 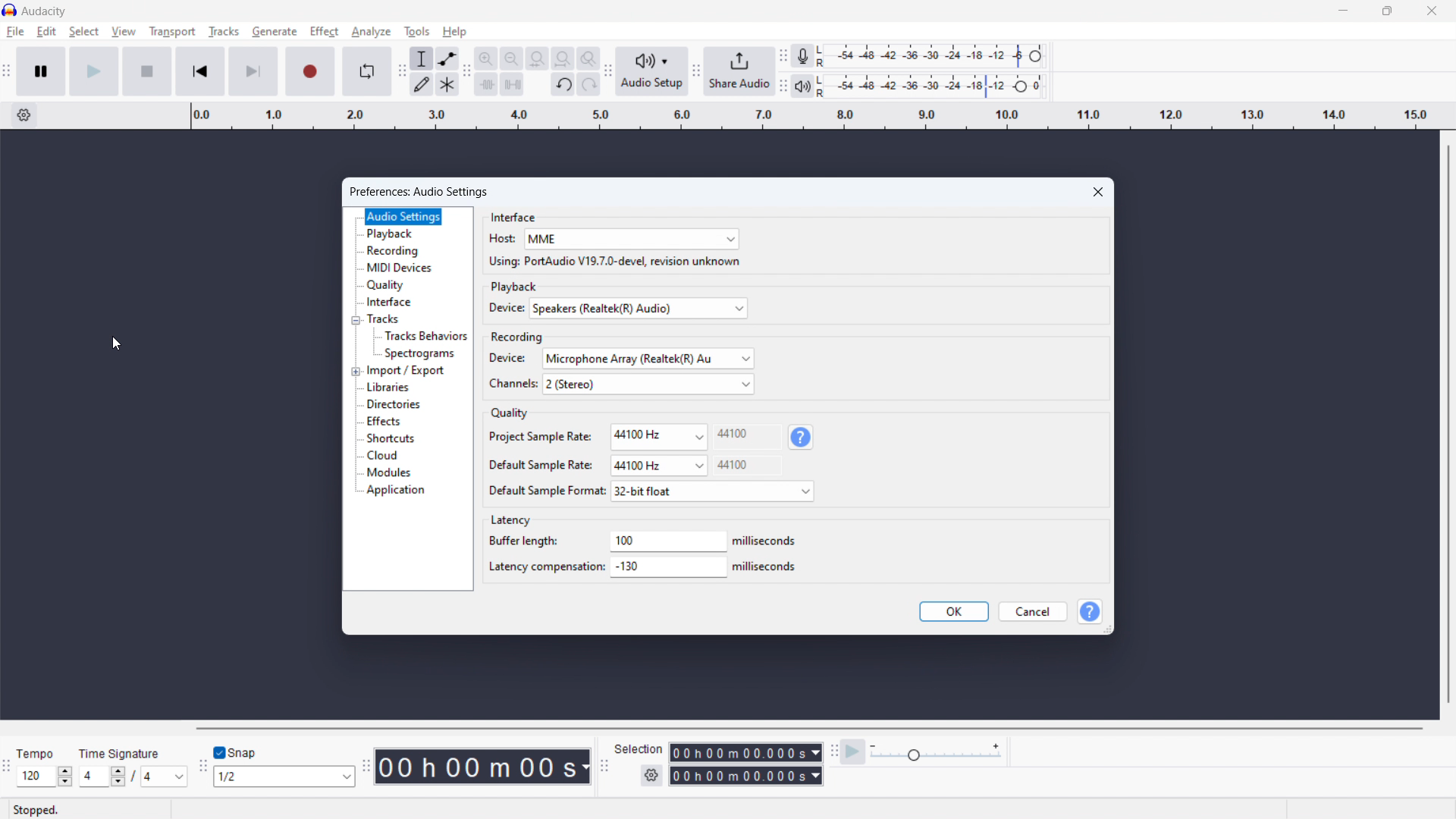 What do you see at coordinates (652, 72) in the screenshot?
I see `audio setup` at bounding box center [652, 72].